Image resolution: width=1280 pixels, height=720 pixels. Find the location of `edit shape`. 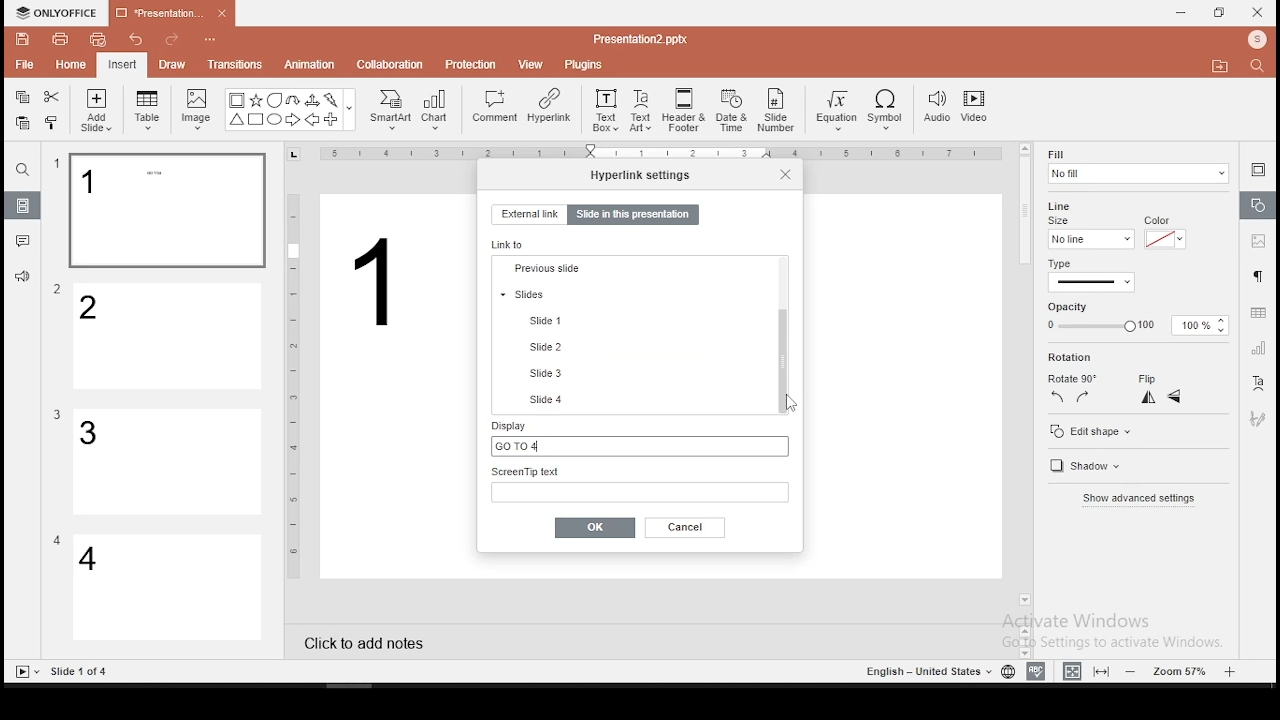

edit shape is located at coordinates (1089, 431).